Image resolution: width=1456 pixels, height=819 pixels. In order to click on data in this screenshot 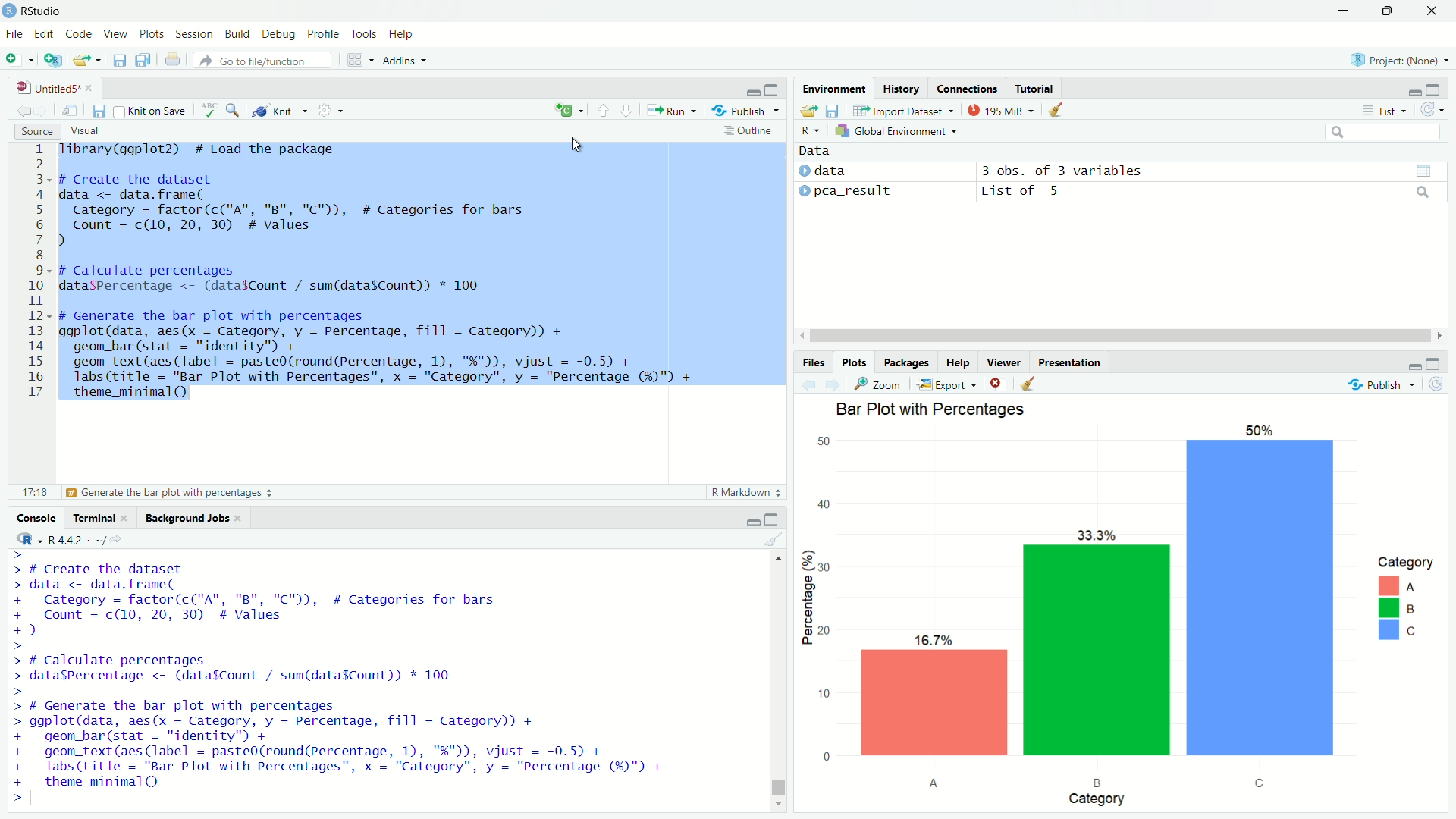, I will do `click(816, 150)`.